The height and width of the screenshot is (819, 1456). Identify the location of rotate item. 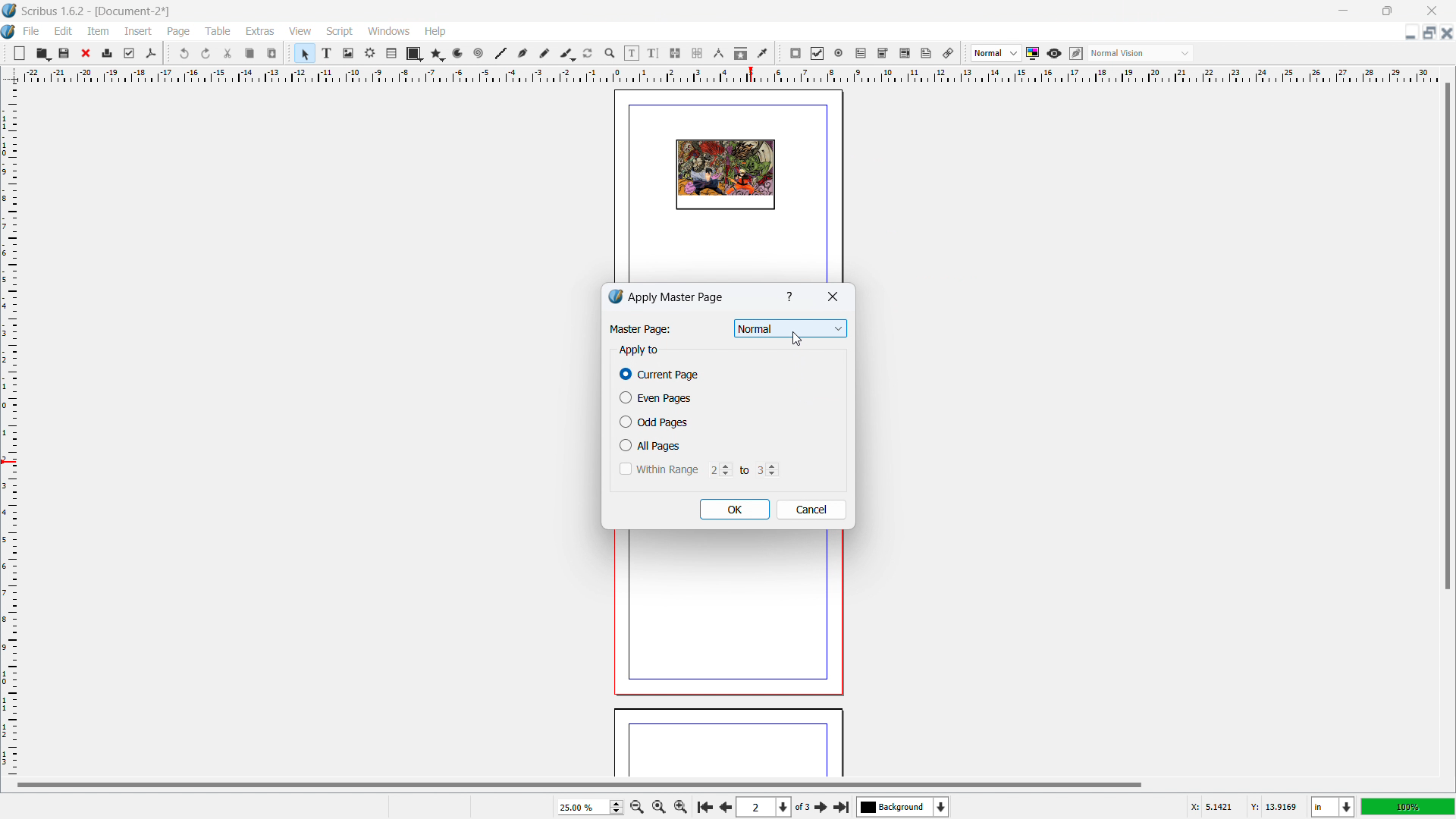
(588, 54).